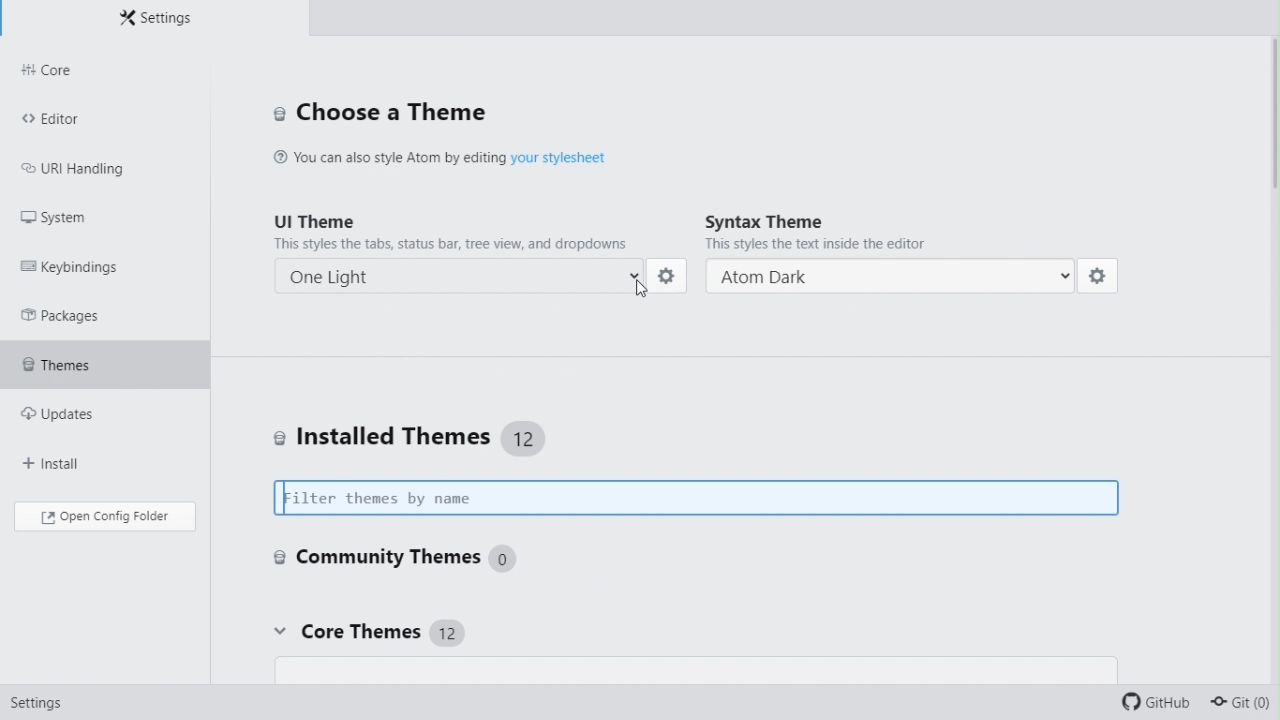 This screenshot has height=720, width=1280. I want to click on Open config folder, so click(107, 519).